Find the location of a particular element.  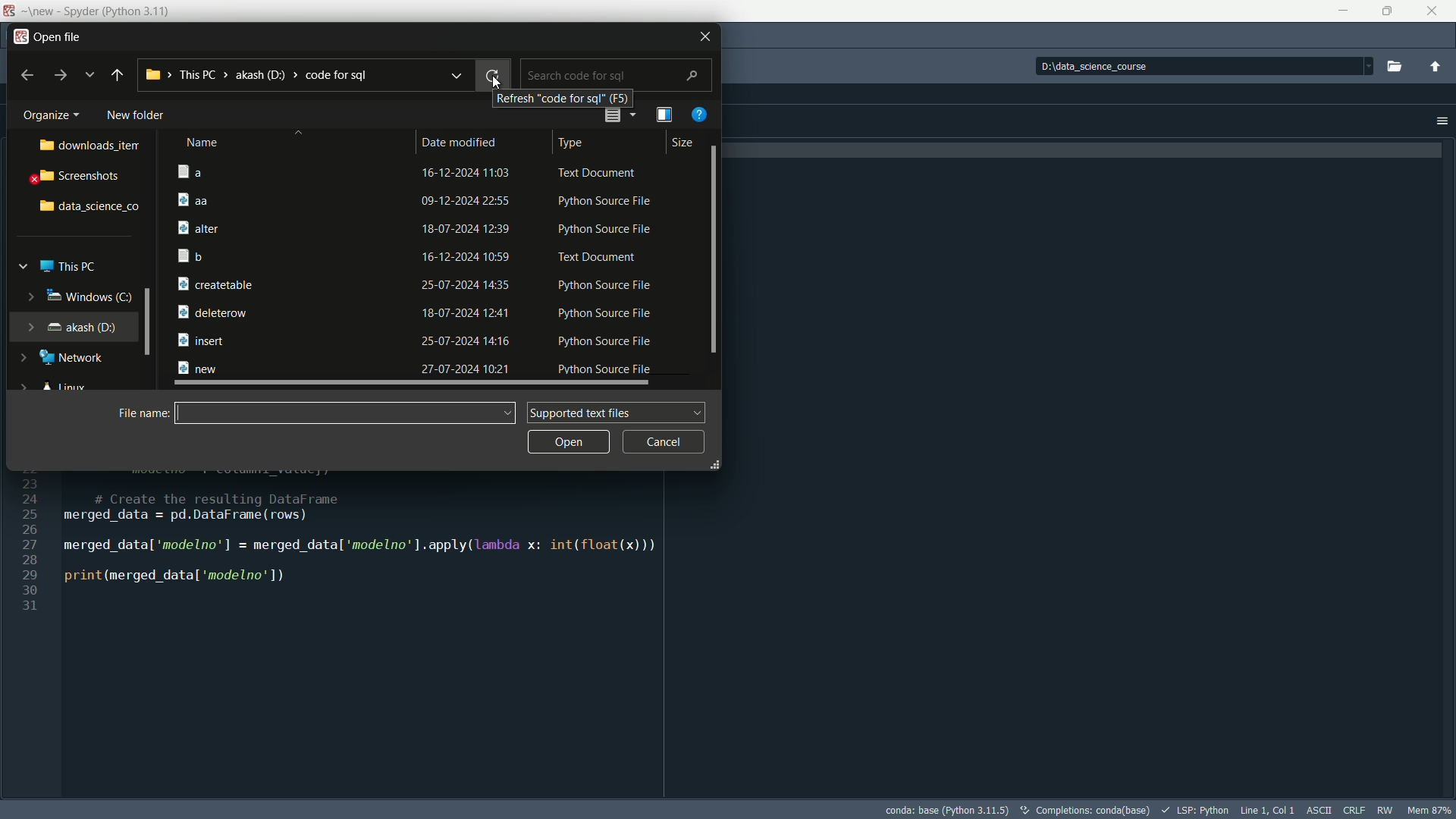

new folder is located at coordinates (137, 115).